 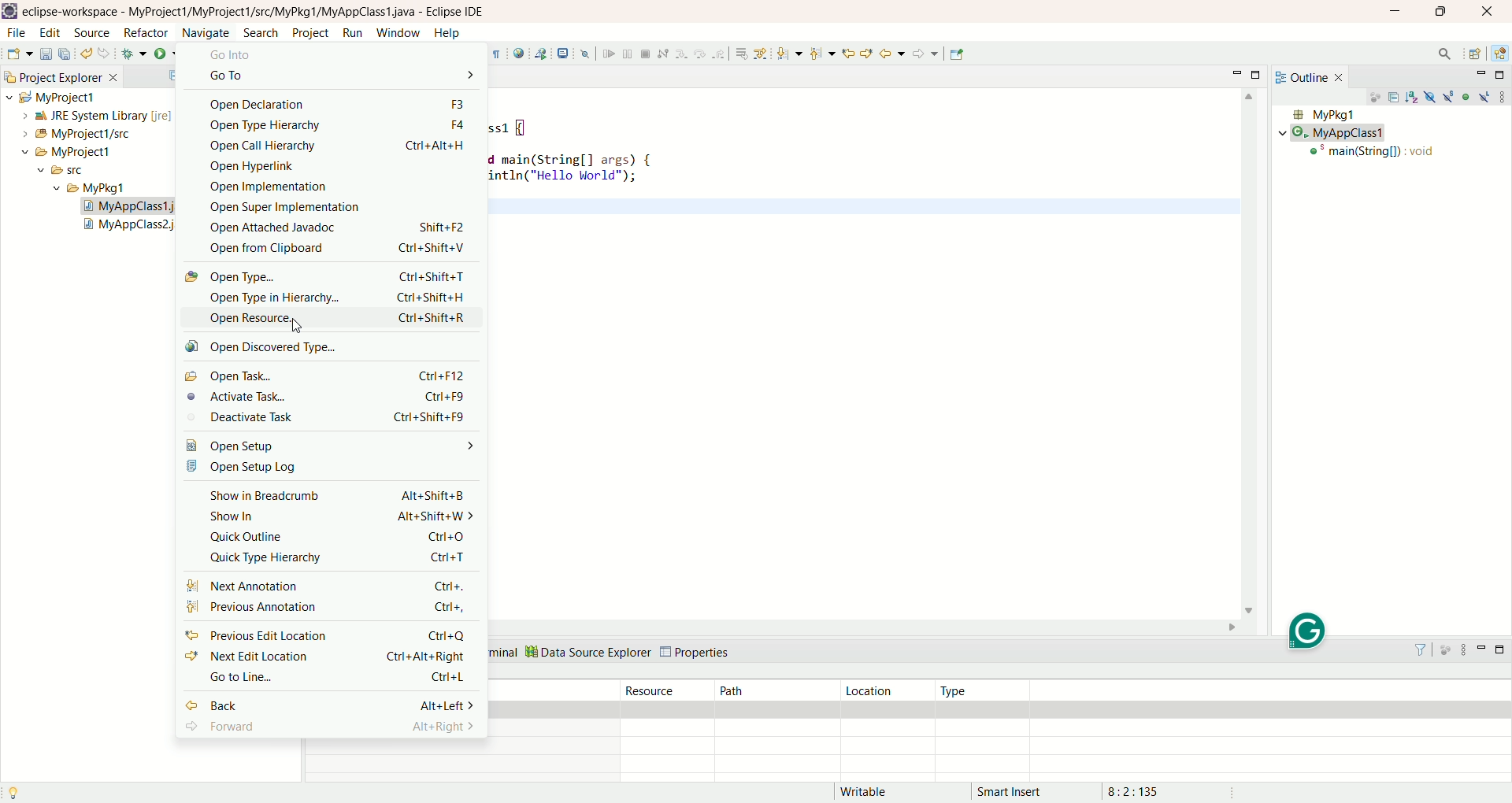 What do you see at coordinates (50, 35) in the screenshot?
I see `edit` at bounding box center [50, 35].